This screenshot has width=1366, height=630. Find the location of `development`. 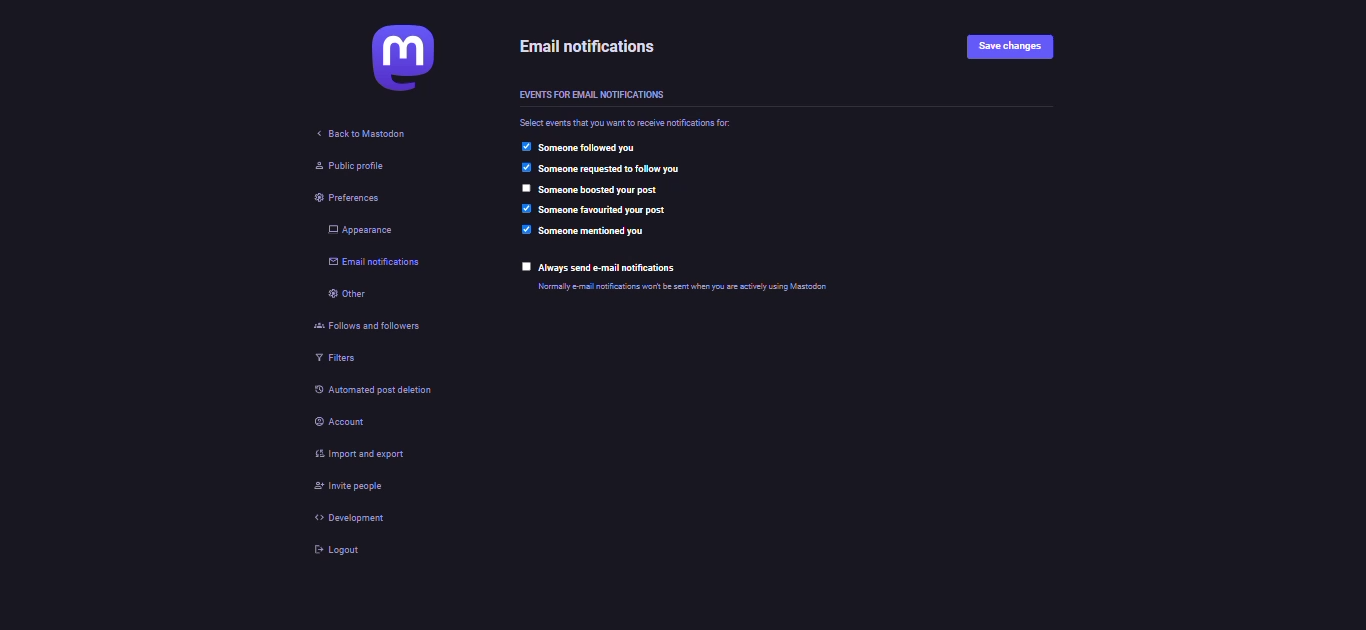

development is located at coordinates (345, 518).